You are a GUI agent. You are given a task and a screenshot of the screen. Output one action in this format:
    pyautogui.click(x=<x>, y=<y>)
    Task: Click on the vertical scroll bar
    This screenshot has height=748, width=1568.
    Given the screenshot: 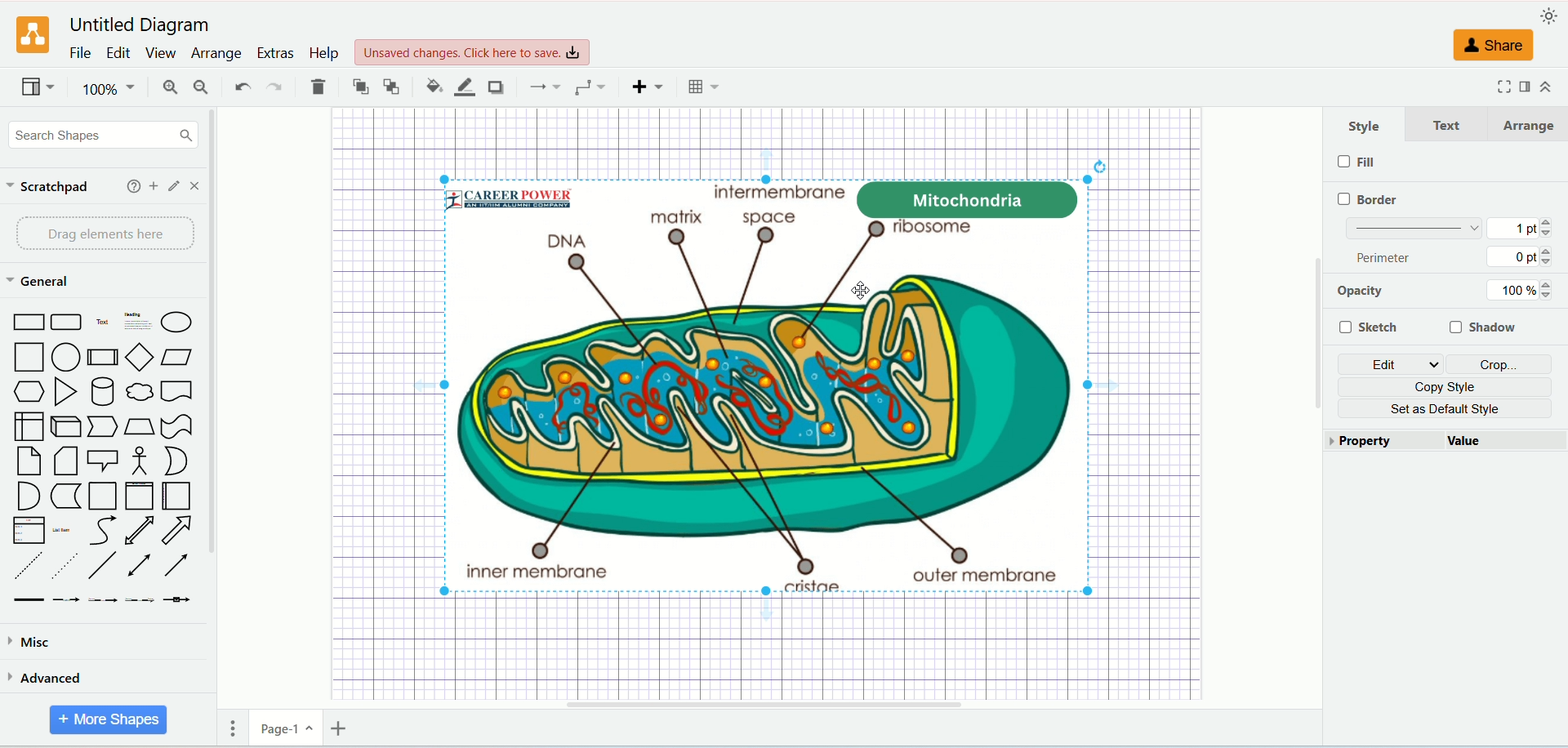 What is the action you would take?
    pyautogui.click(x=216, y=425)
    